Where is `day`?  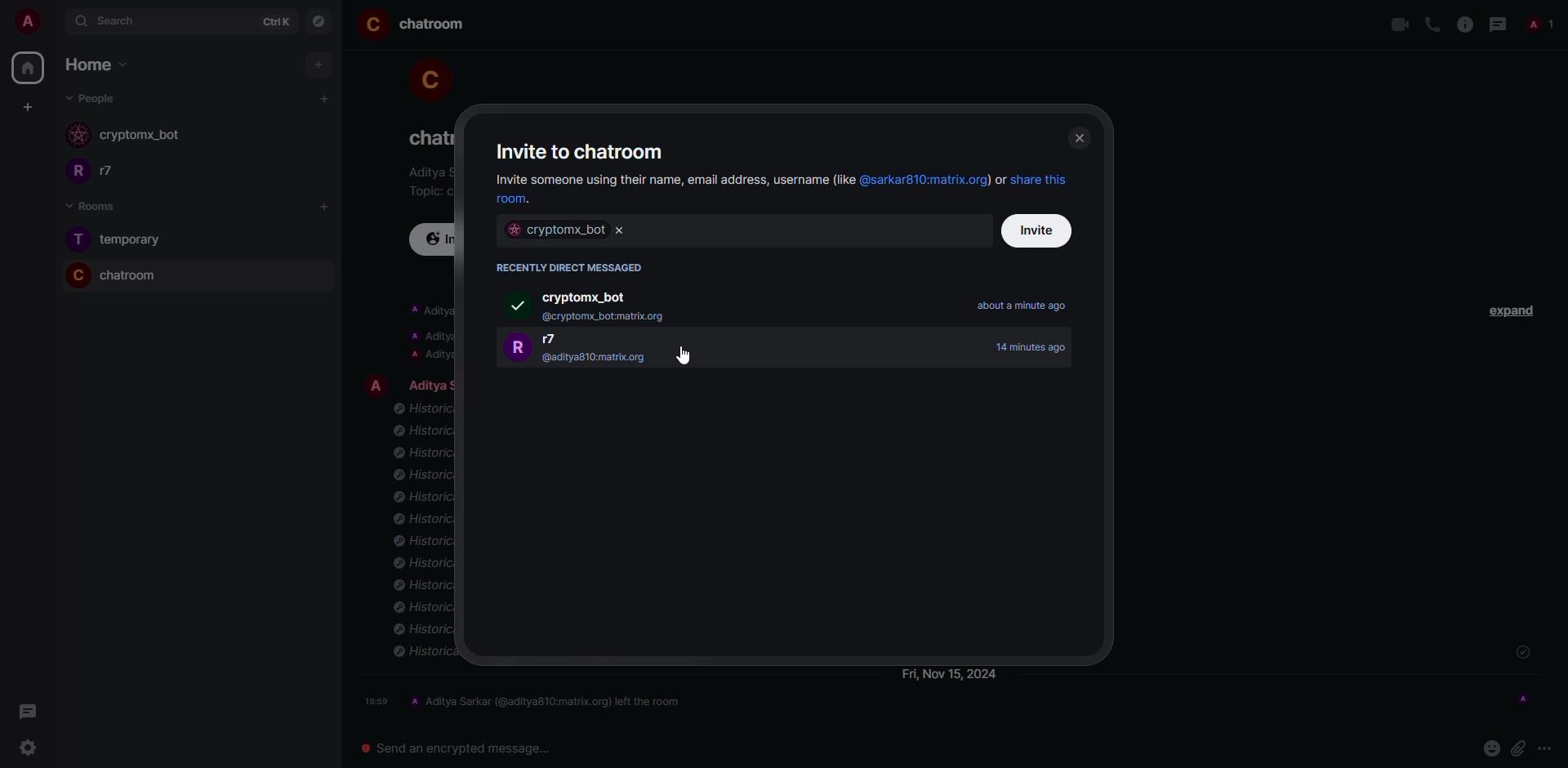 day is located at coordinates (951, 675).